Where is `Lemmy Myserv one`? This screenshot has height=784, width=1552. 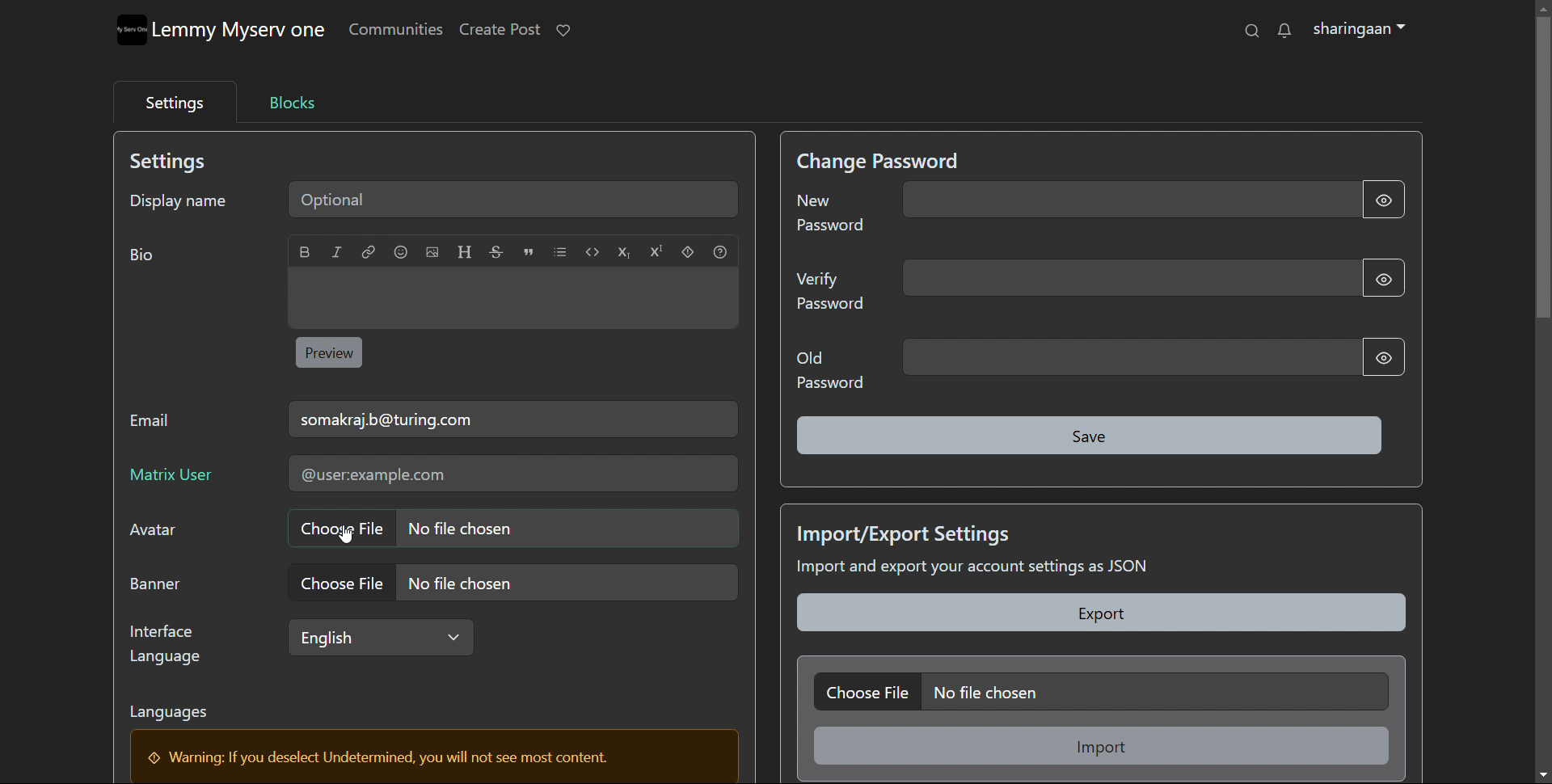 Lemmy Myserv one is located at coordinates (243, 32).